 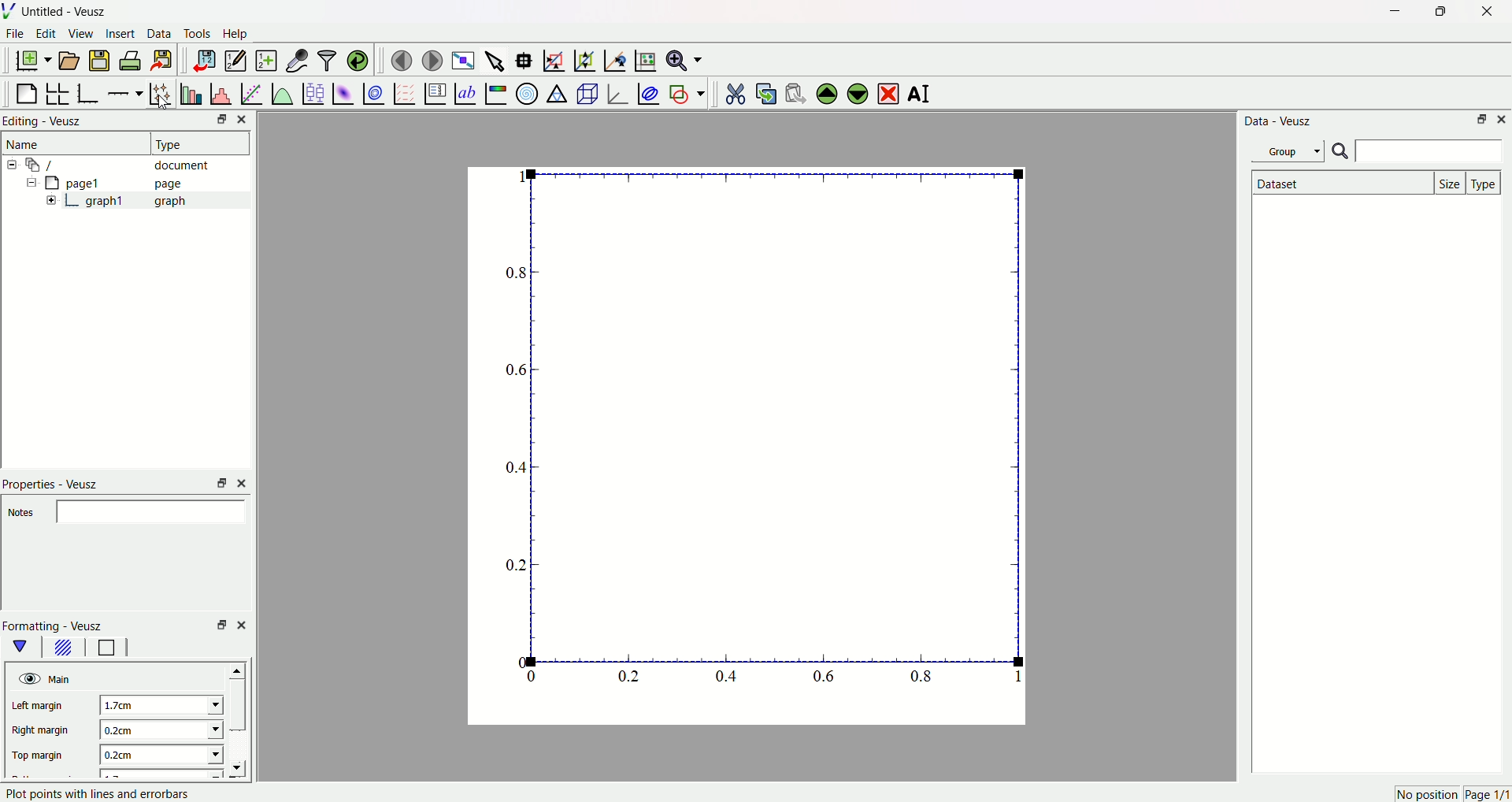 I want to click on fit a function, so click(x=250, y=92).